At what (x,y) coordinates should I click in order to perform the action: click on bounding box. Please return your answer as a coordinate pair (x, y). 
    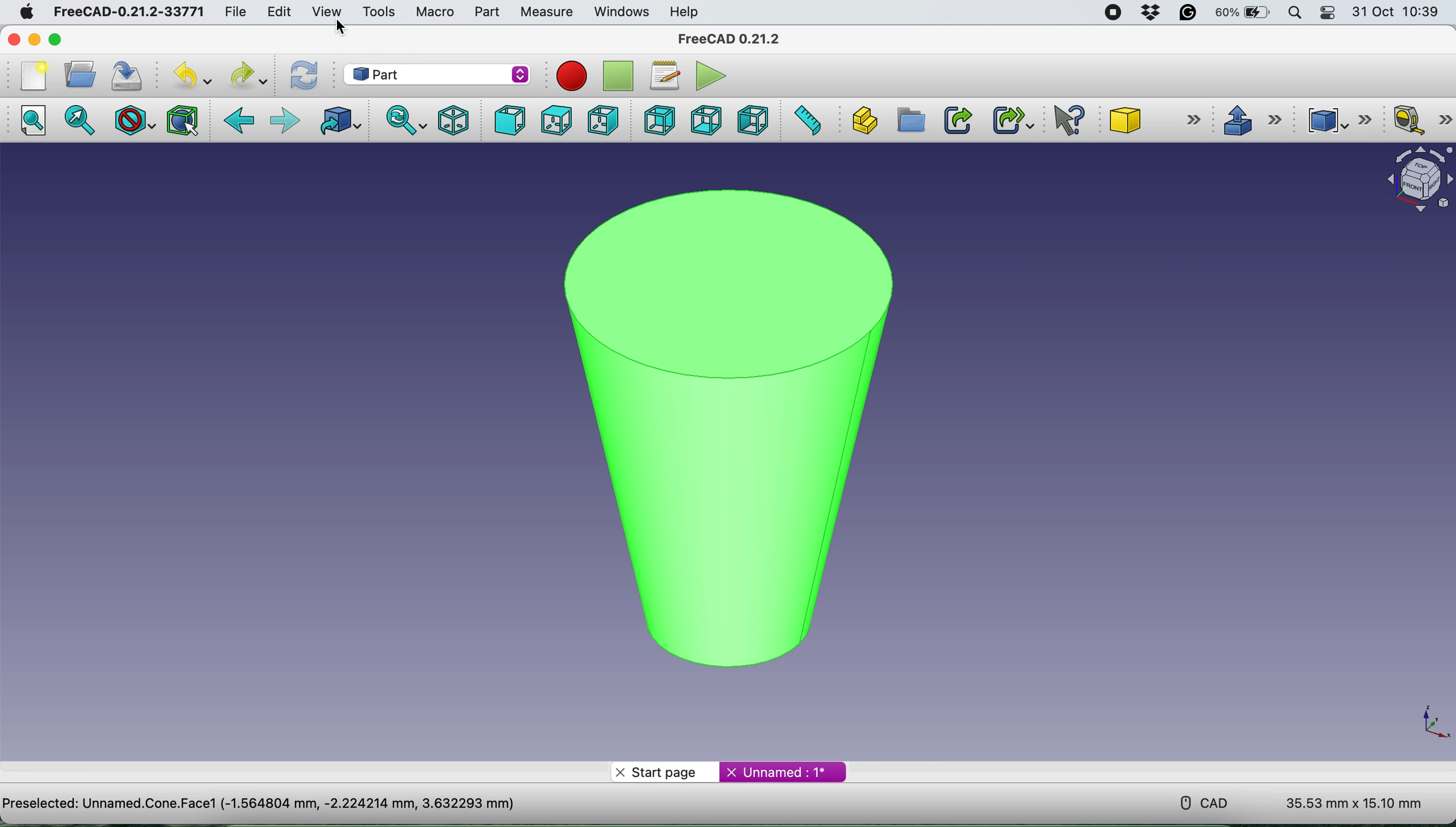
    Looking at the image, I should click on (181, 120).